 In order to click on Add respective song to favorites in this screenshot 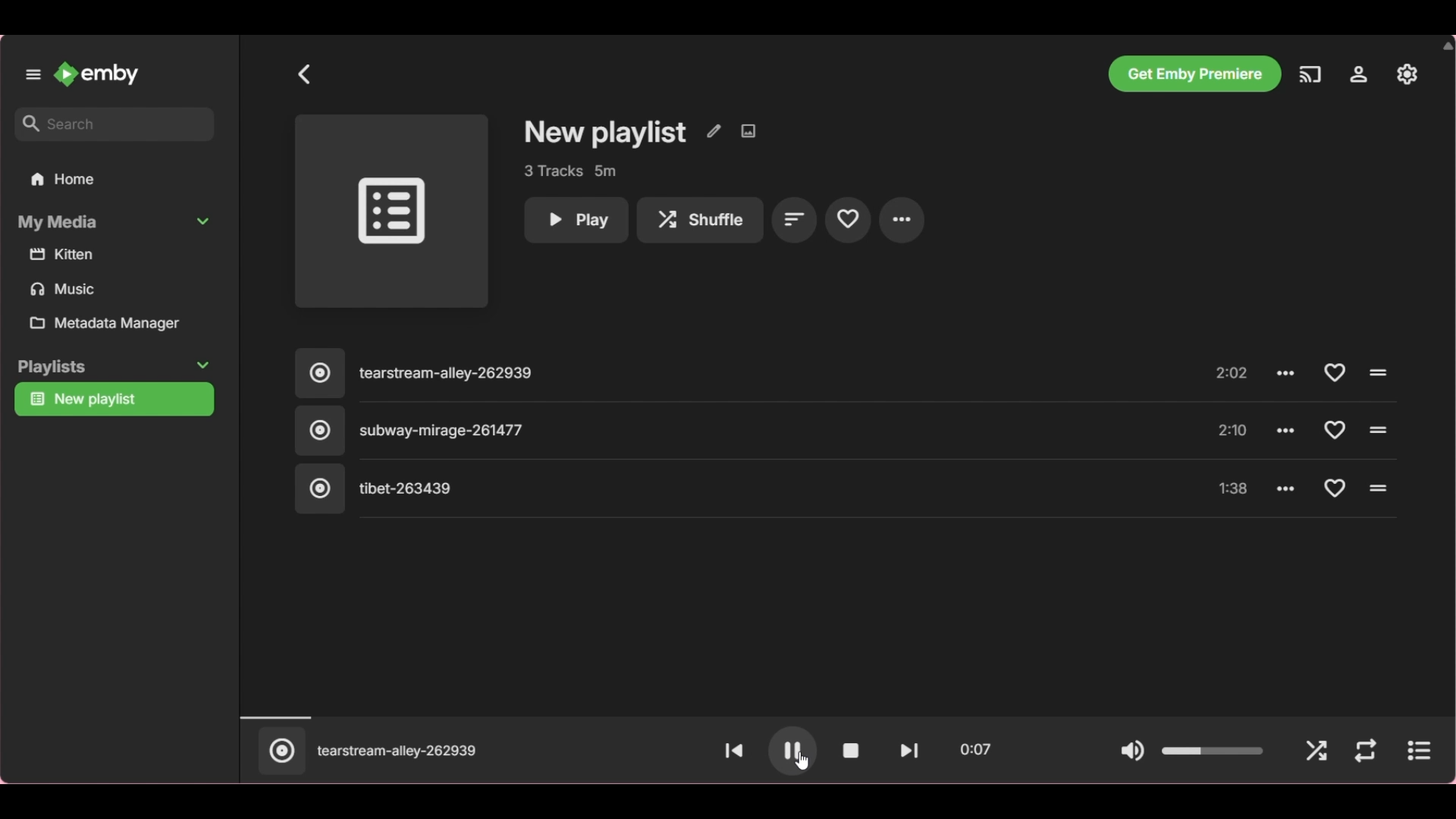, I will do `click(1334, 372)`.